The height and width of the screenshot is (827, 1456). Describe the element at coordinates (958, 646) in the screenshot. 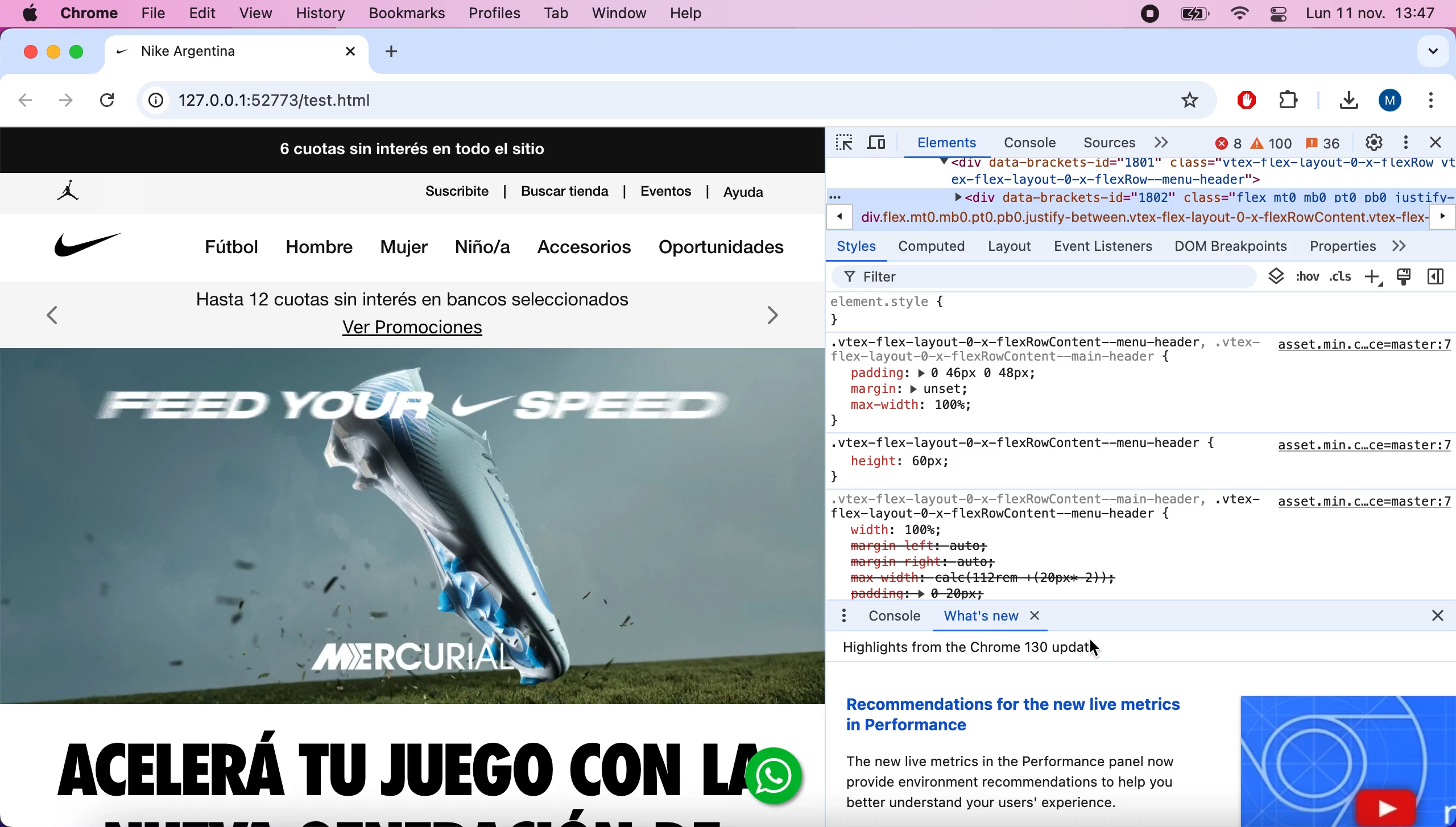

I see `text` at that location.